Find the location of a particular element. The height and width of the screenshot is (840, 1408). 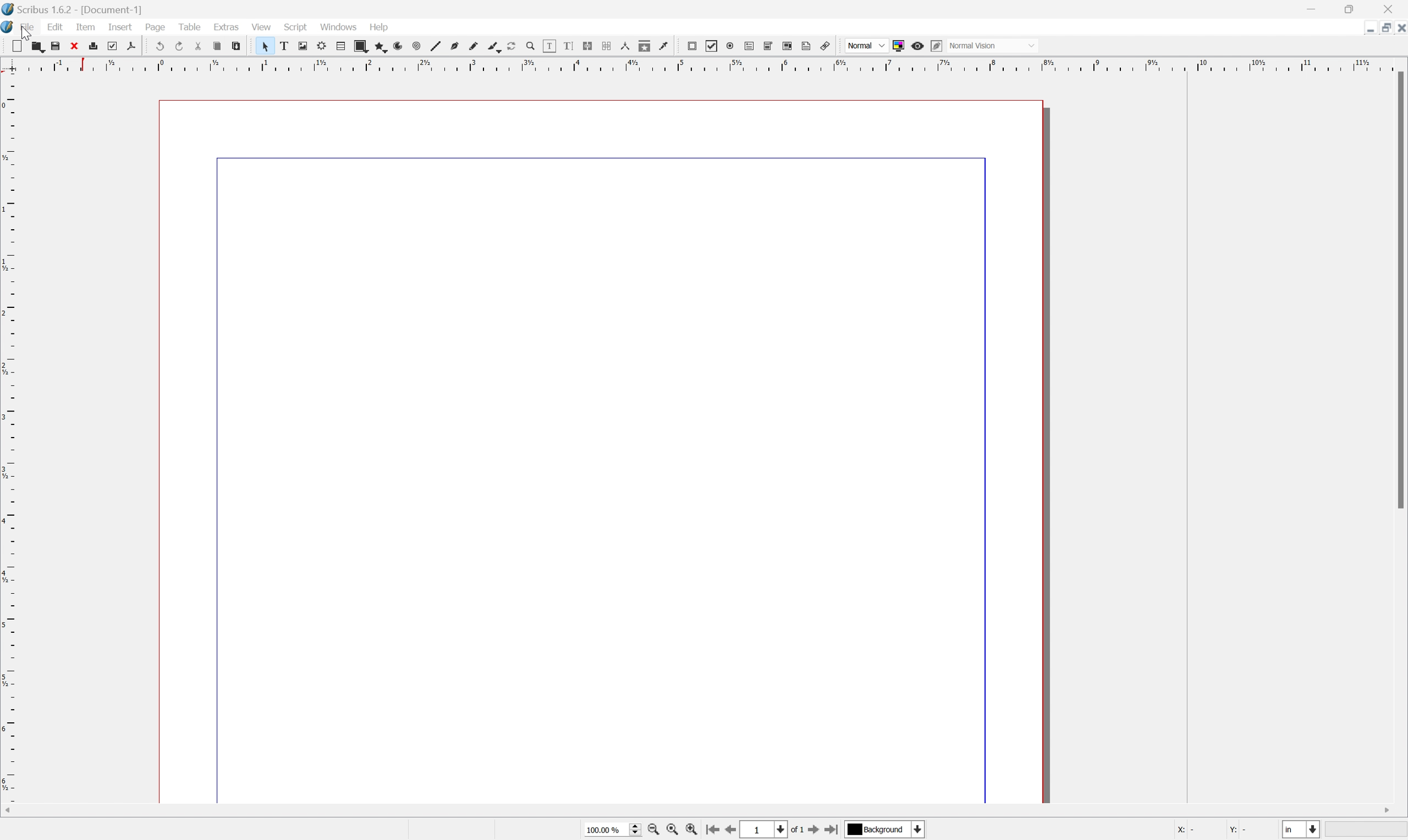

pdf list box is located at coordinates (788, 46).